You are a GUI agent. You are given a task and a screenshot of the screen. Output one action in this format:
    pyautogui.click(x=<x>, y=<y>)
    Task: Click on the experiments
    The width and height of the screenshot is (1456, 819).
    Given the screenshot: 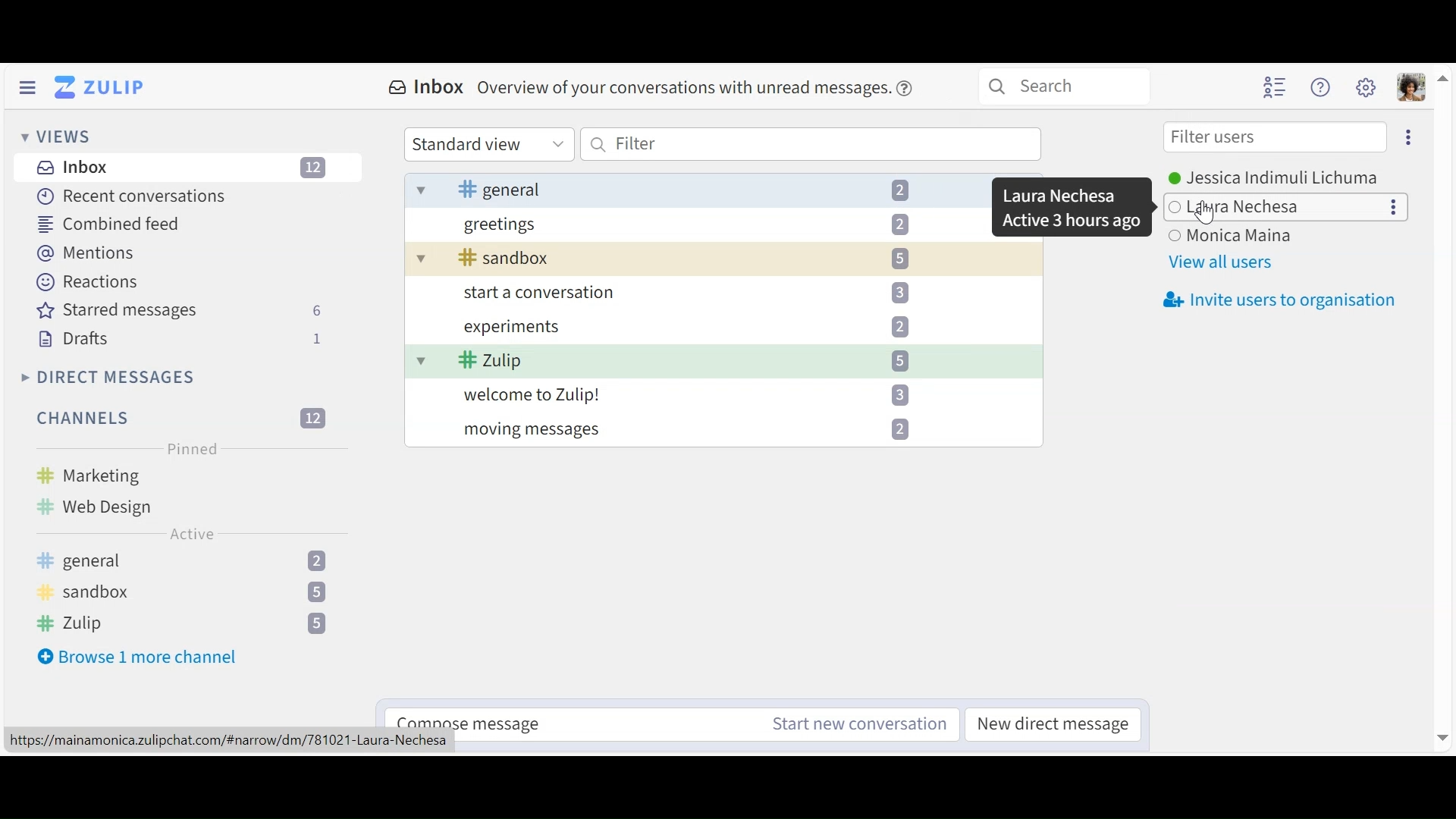 What is the action you would take?
    pyautogui.click(x=682, y=330)
    